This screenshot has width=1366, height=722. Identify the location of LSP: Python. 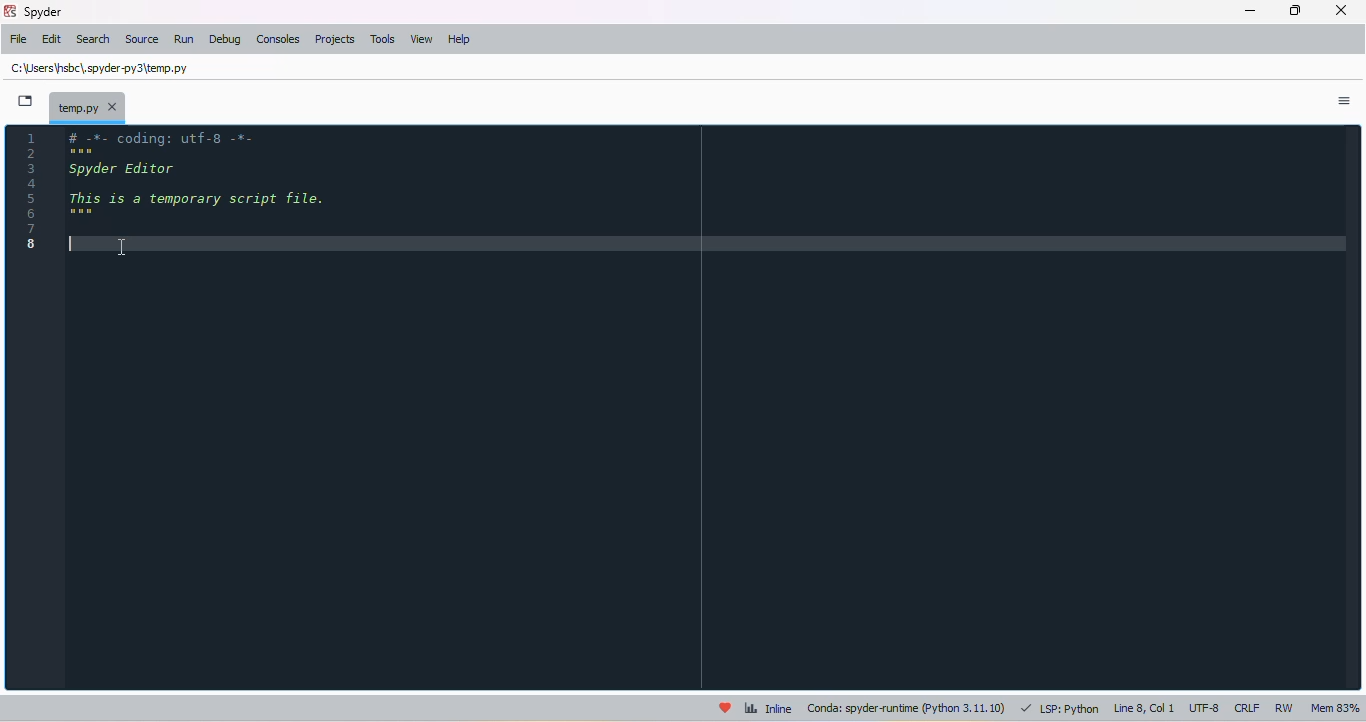
(1060, 708).